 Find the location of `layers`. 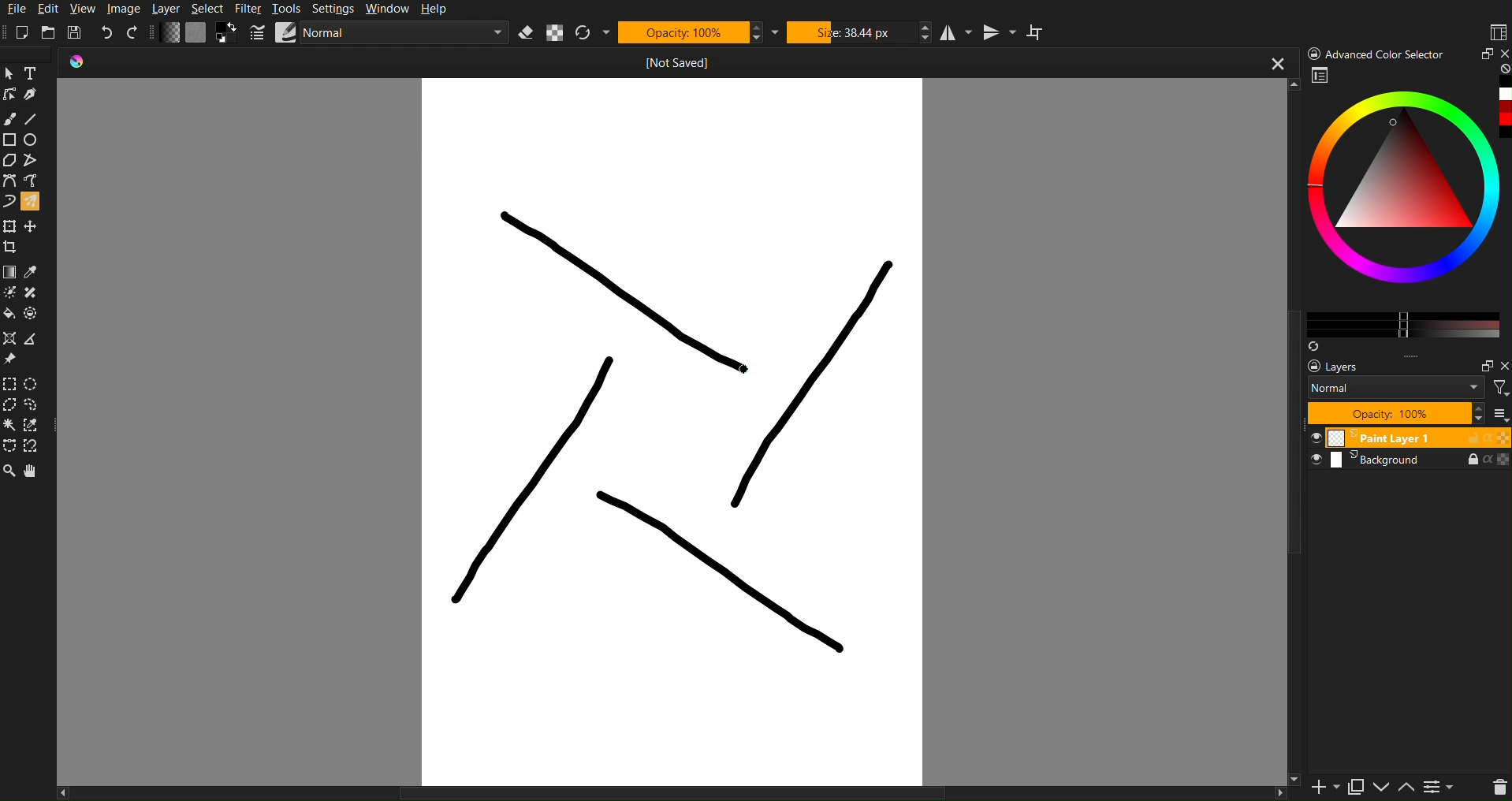

layers is located at coordinates (1346, 367).